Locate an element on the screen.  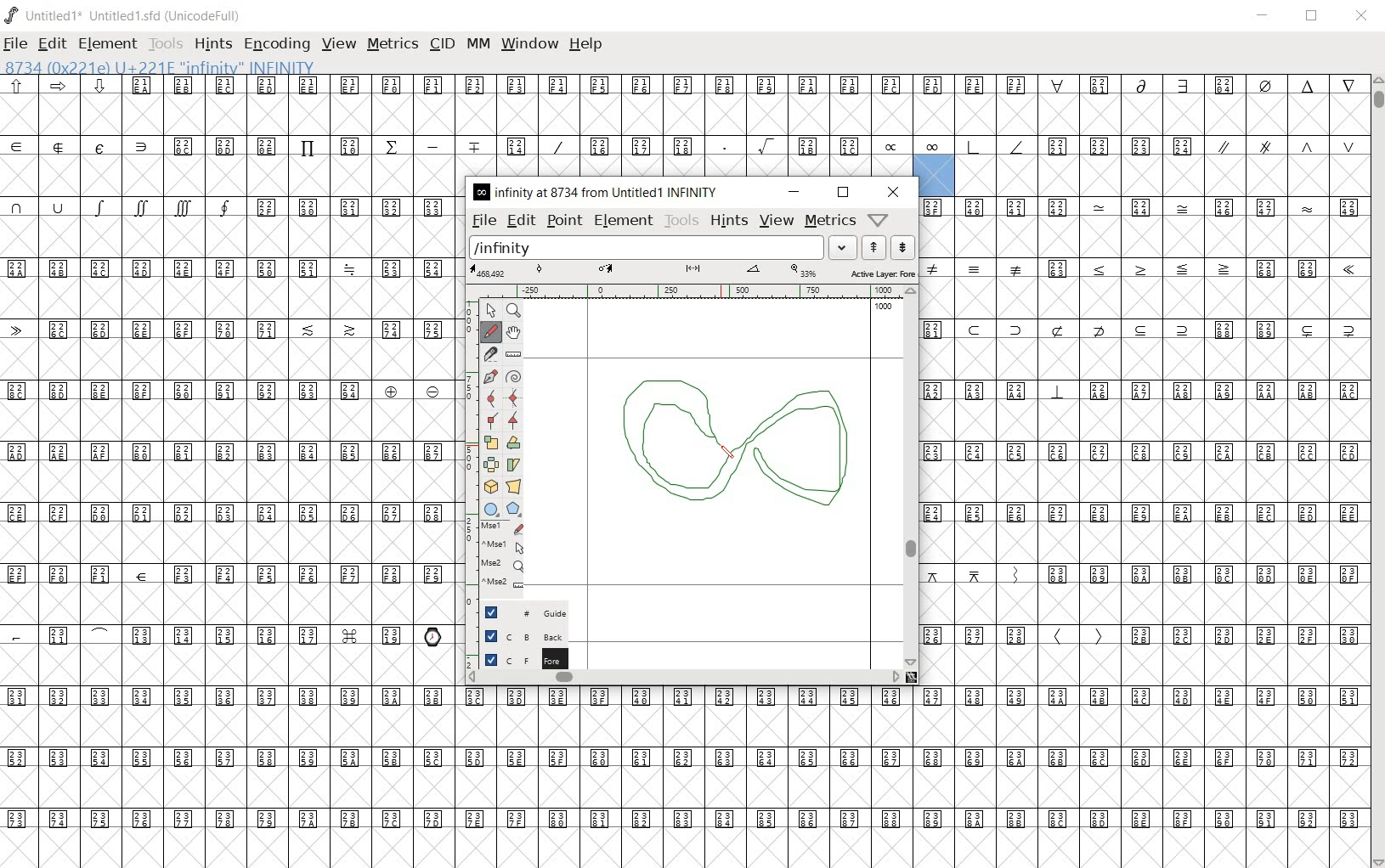
cut splines in two is located at coordinates (489, 352).